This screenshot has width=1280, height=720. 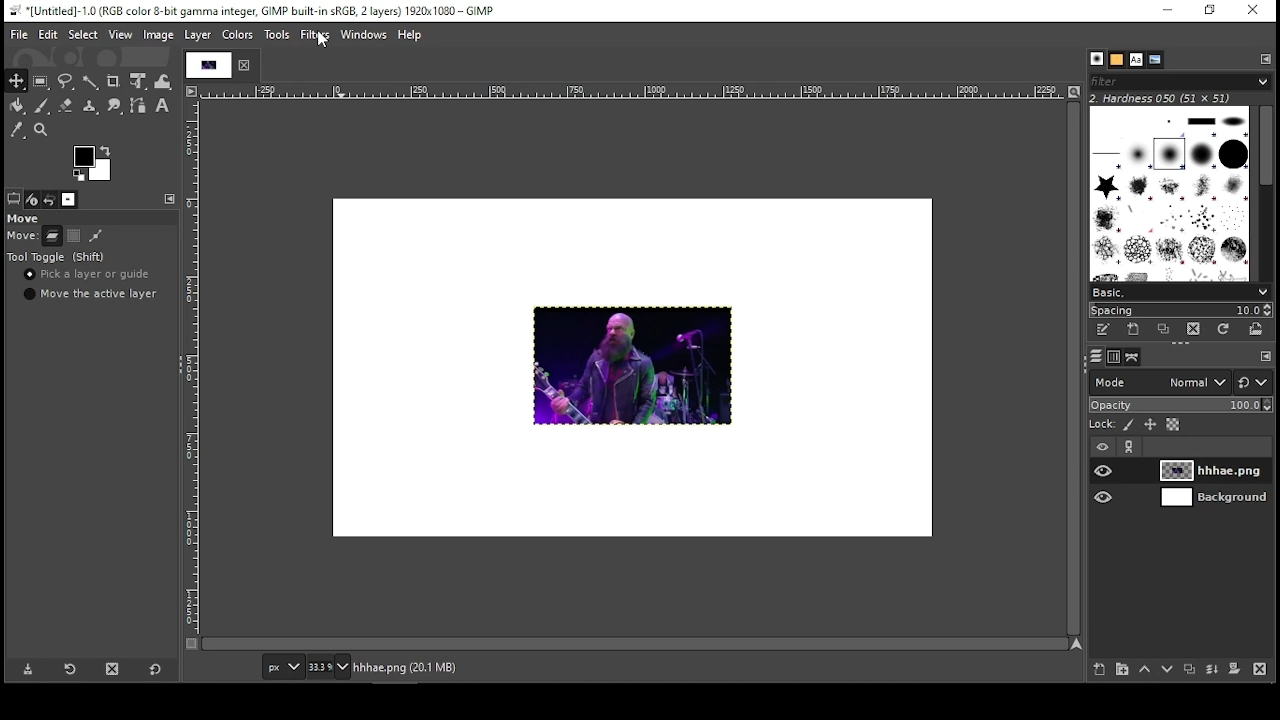 I want to click on fonts, so click(x=1135, y=59).